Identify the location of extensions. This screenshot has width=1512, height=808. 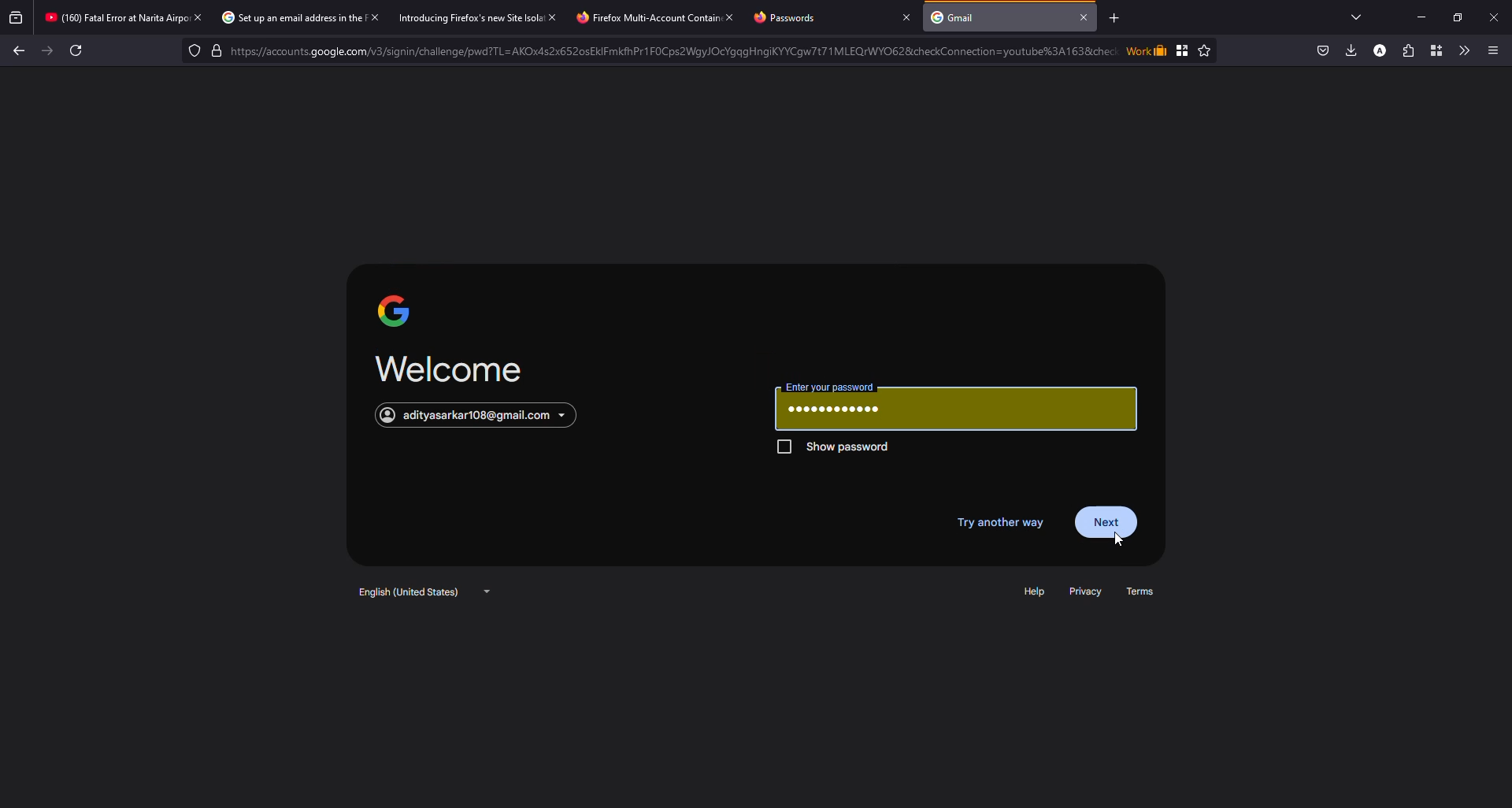
(1406, 50).